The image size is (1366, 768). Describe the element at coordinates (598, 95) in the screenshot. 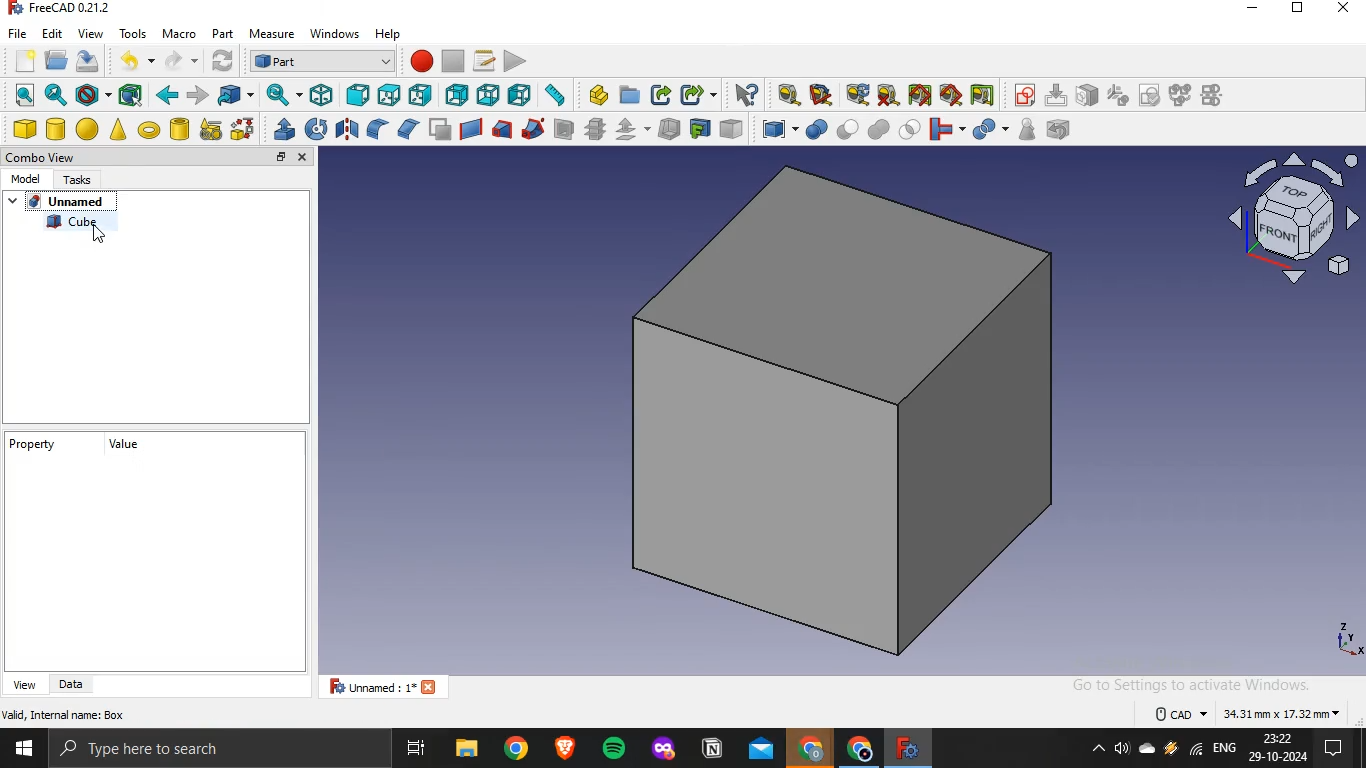

I see `create part` at that location.